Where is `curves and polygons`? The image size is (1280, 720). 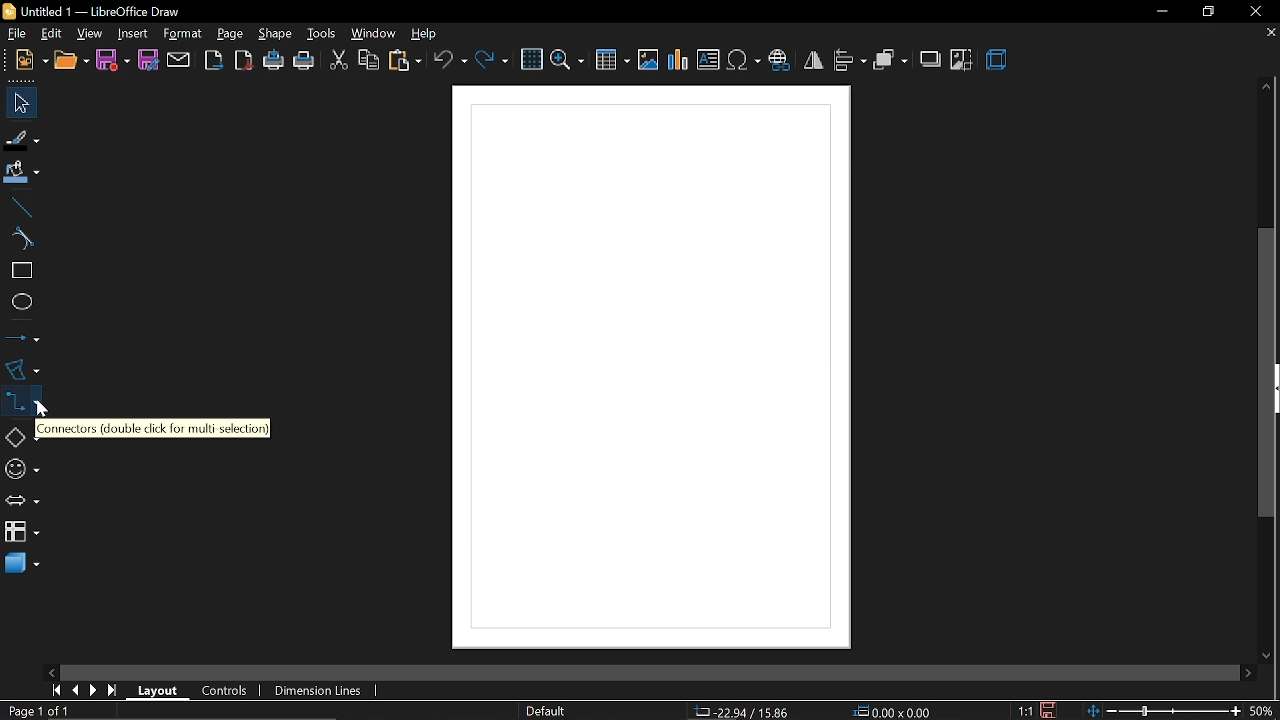 curves and polygons is located at coordinates (20, 369).